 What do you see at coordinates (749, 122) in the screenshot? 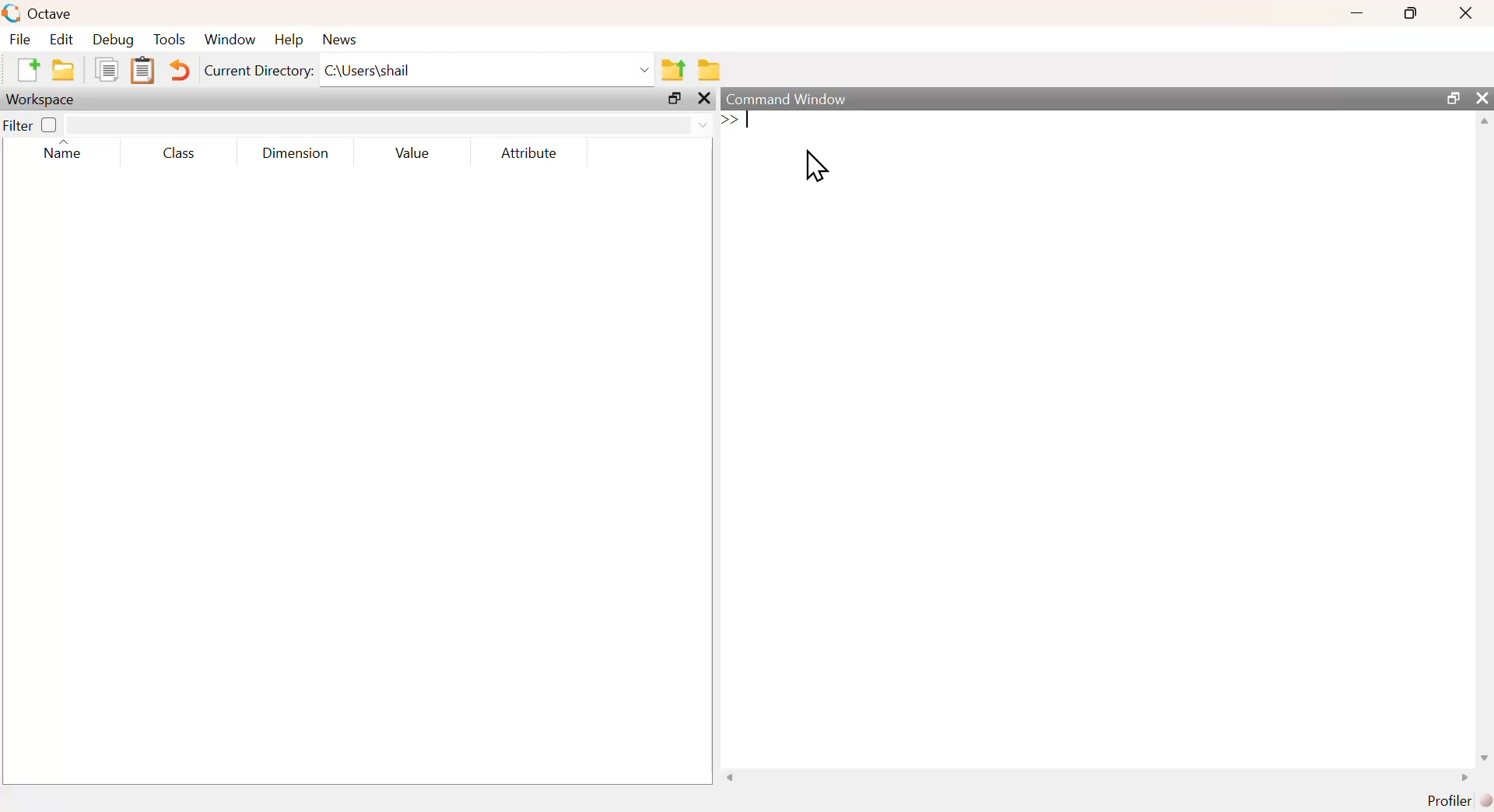
I see `text cursor` at bounding box center [749, 122].